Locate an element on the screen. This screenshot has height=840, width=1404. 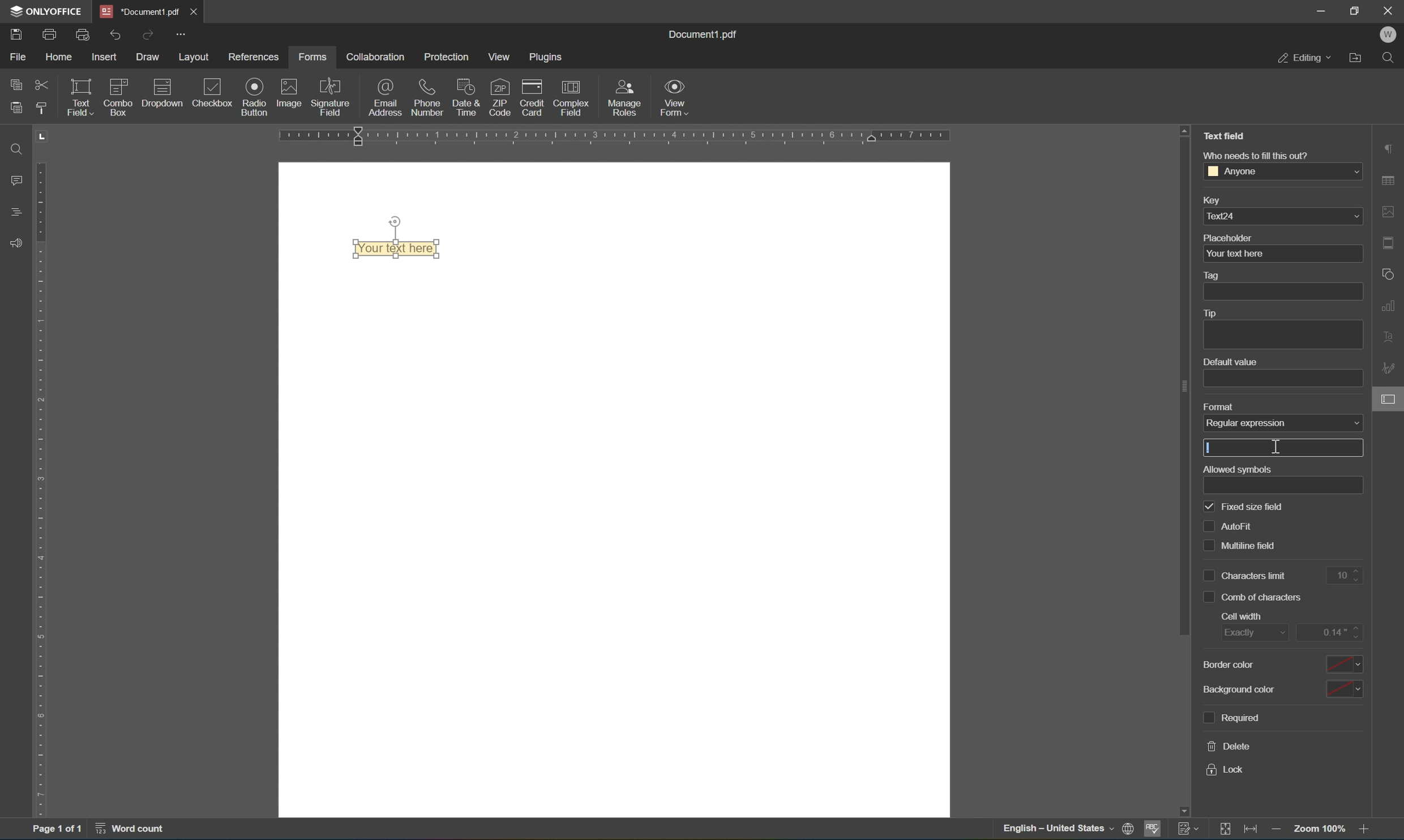
fit to width is located at coordinates (1252, 831).